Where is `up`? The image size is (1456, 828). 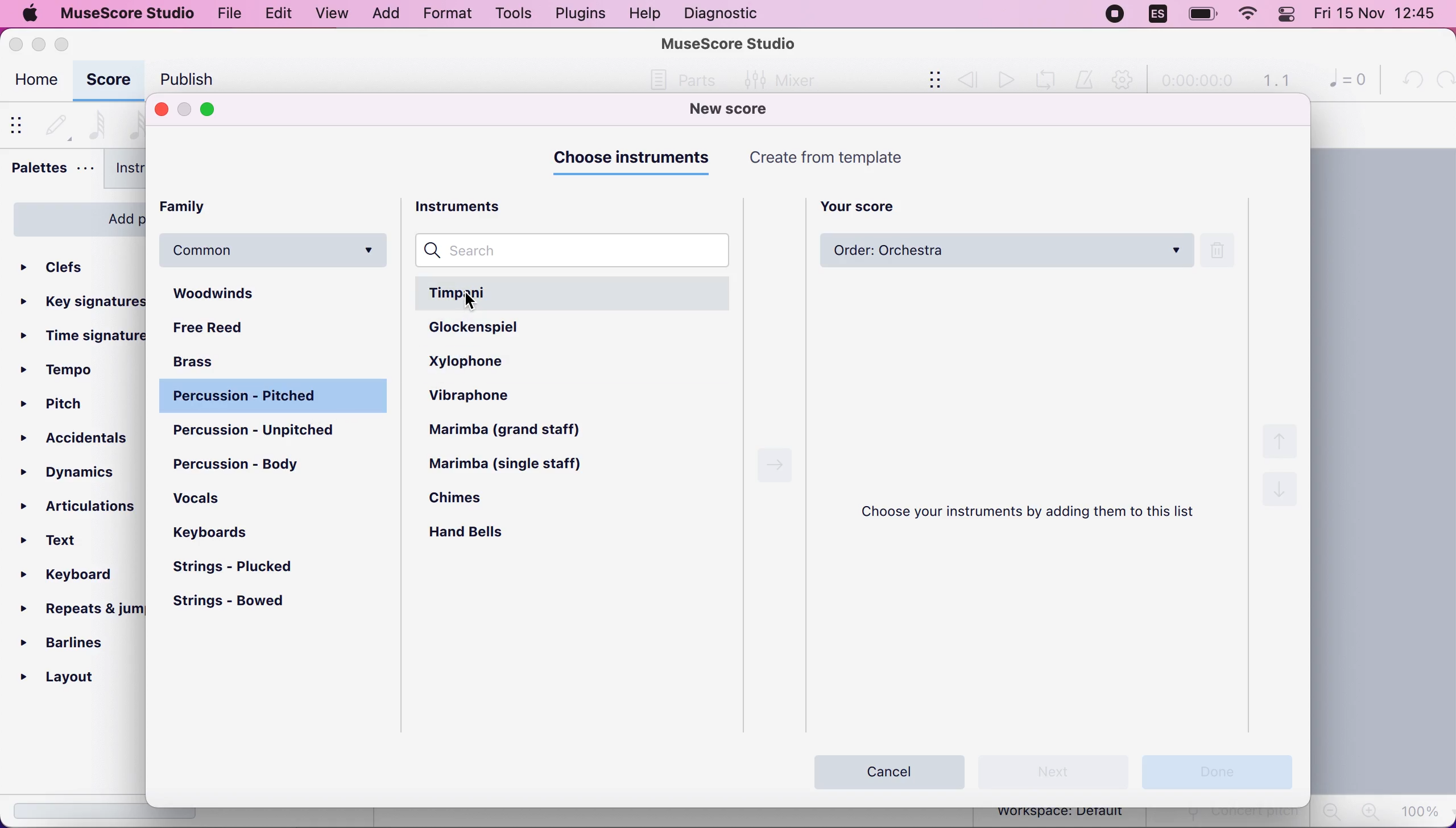 up is located at coordinates (1283, 440).